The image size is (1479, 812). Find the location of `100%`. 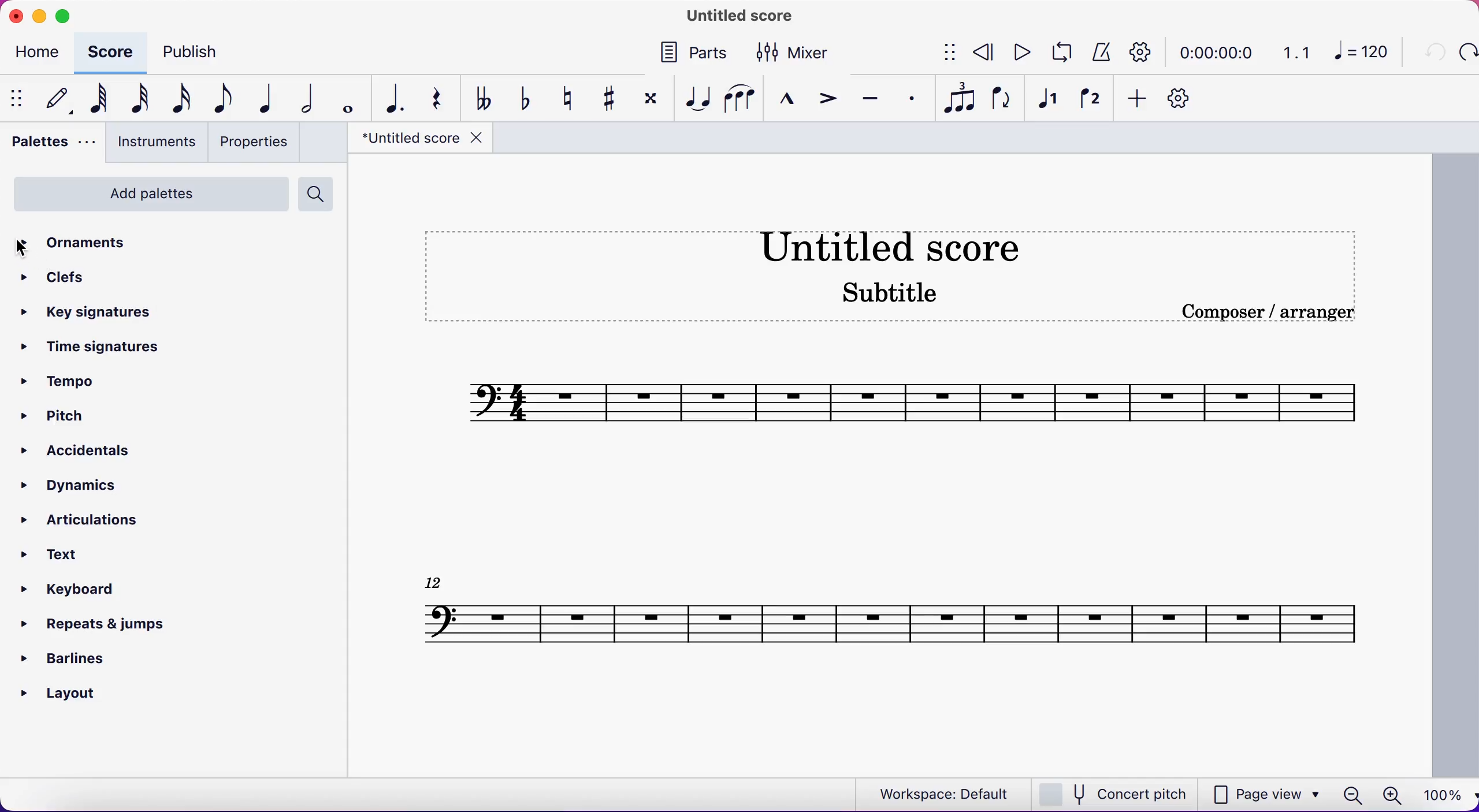

100% is located at coordinates (1444, 796).